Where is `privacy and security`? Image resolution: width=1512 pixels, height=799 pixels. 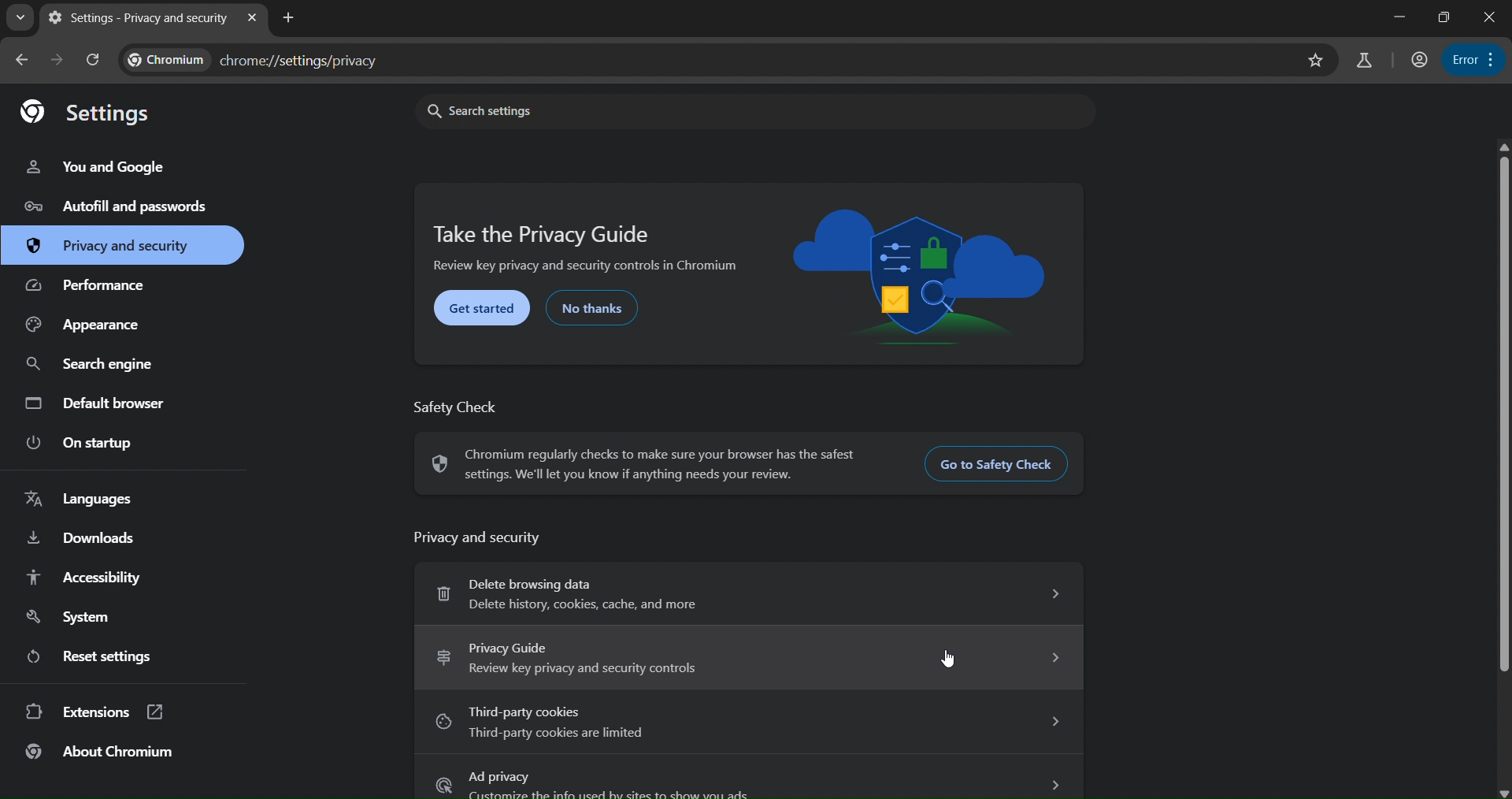
privacy and security is located at coordinates (110, 245).